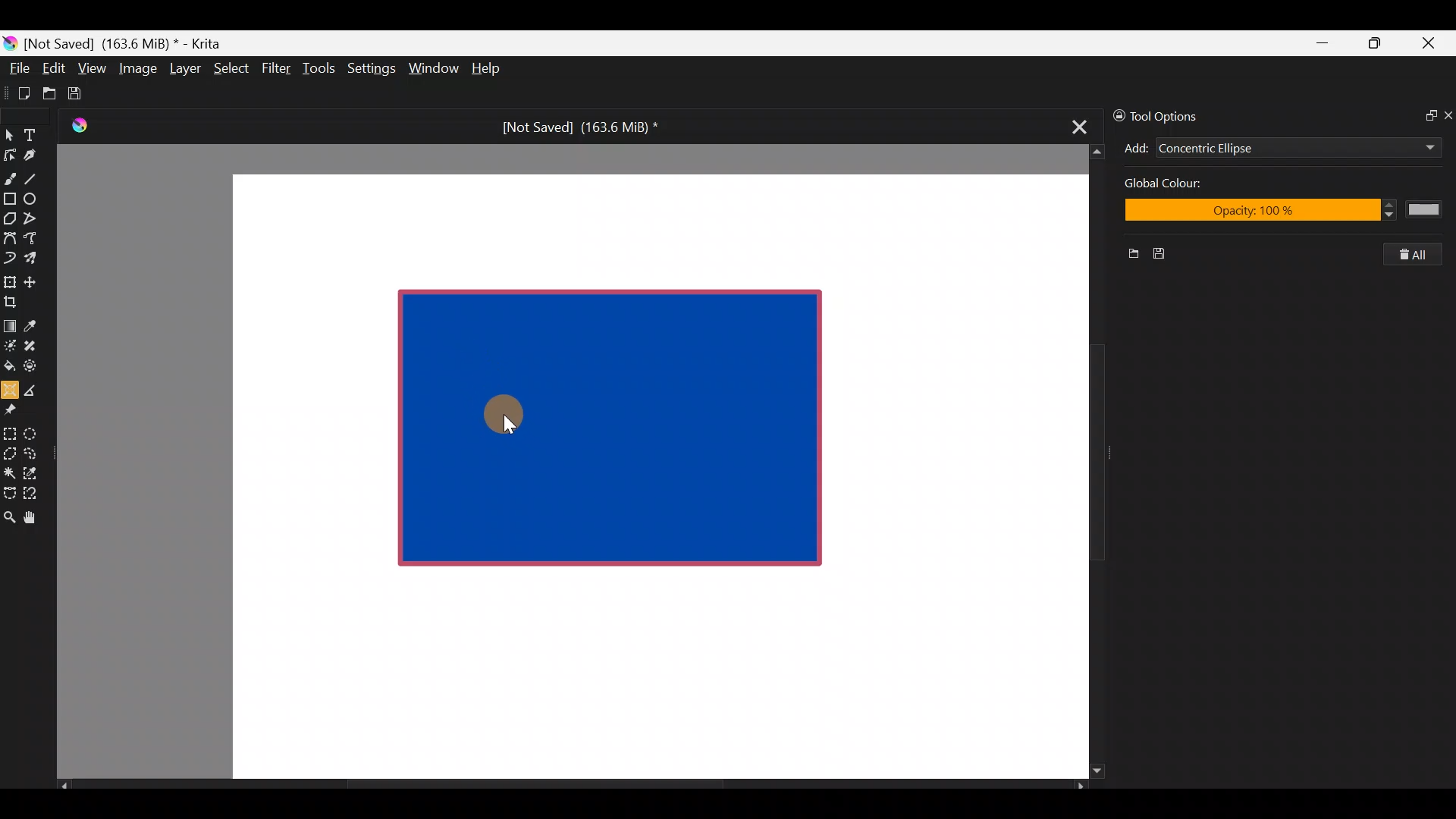 This screenshot has height=819, width=1456. Describe the element at coordinates (1116, 113) in the screenshot. I see `Lock/unlock docker` at that location.